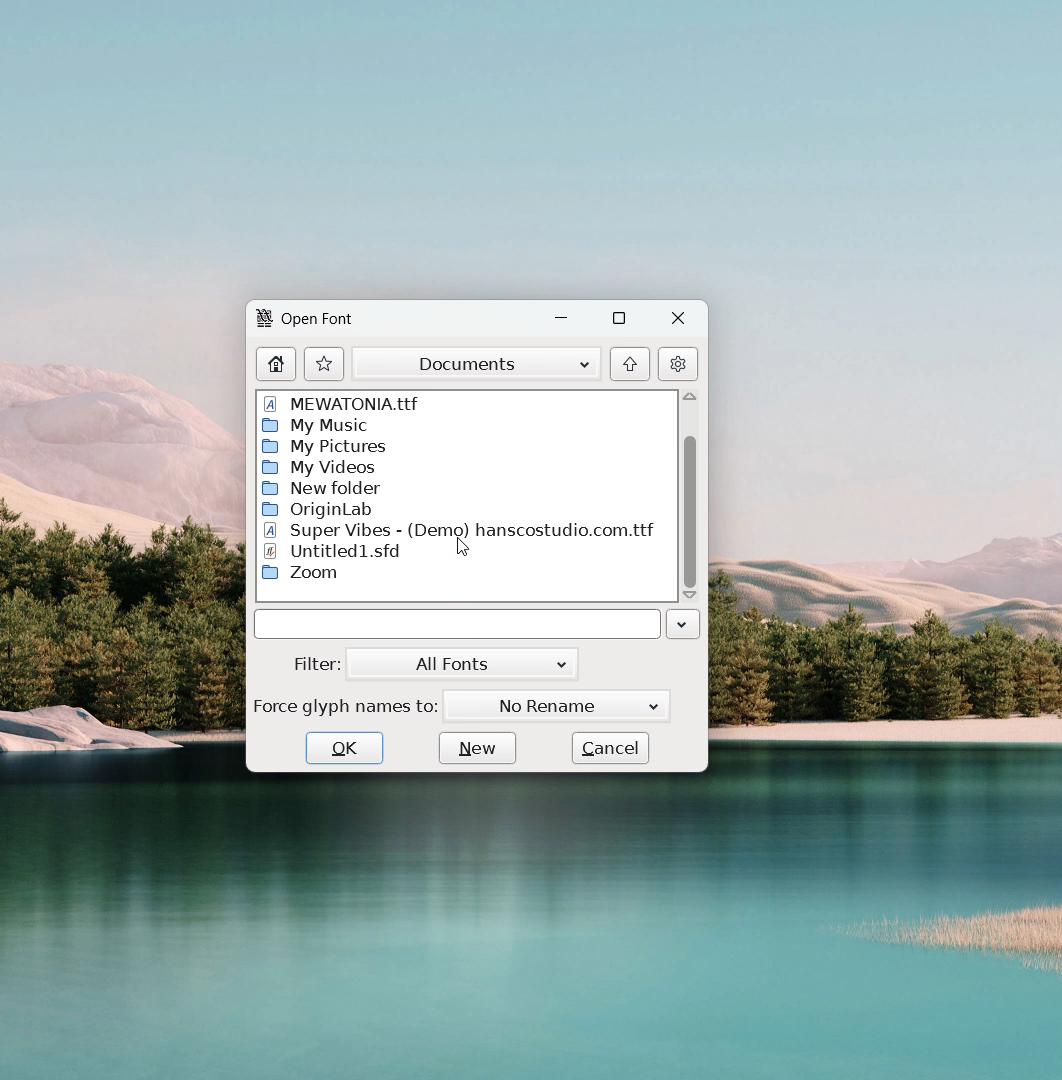 This screenshot has width=1062, height=1080. Describe the element at coordinates (319, 511) in the screenshot. I see `Origin Lab` at that location.